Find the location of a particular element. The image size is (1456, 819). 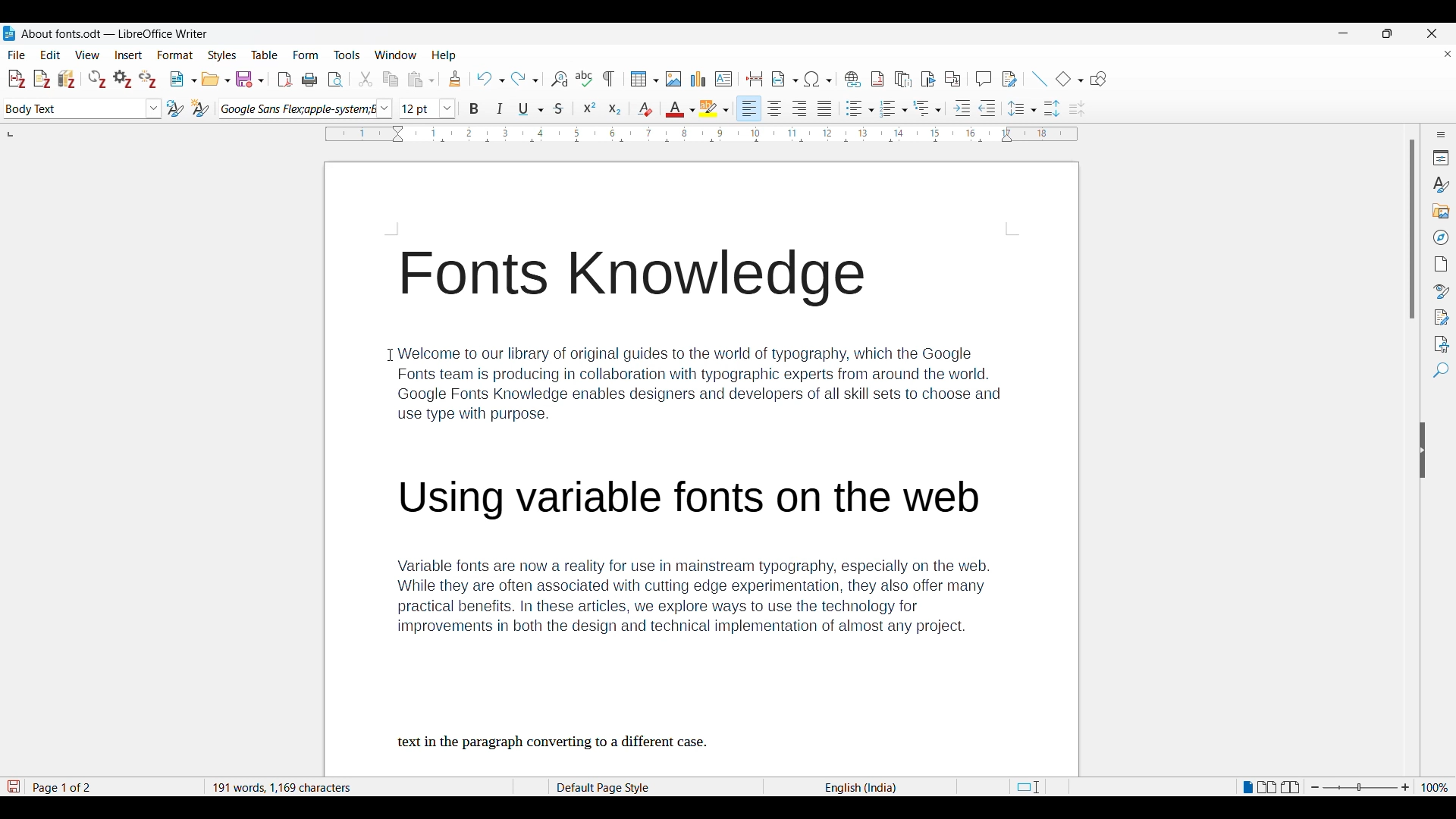

Cut is located at coordinates (366, 79).